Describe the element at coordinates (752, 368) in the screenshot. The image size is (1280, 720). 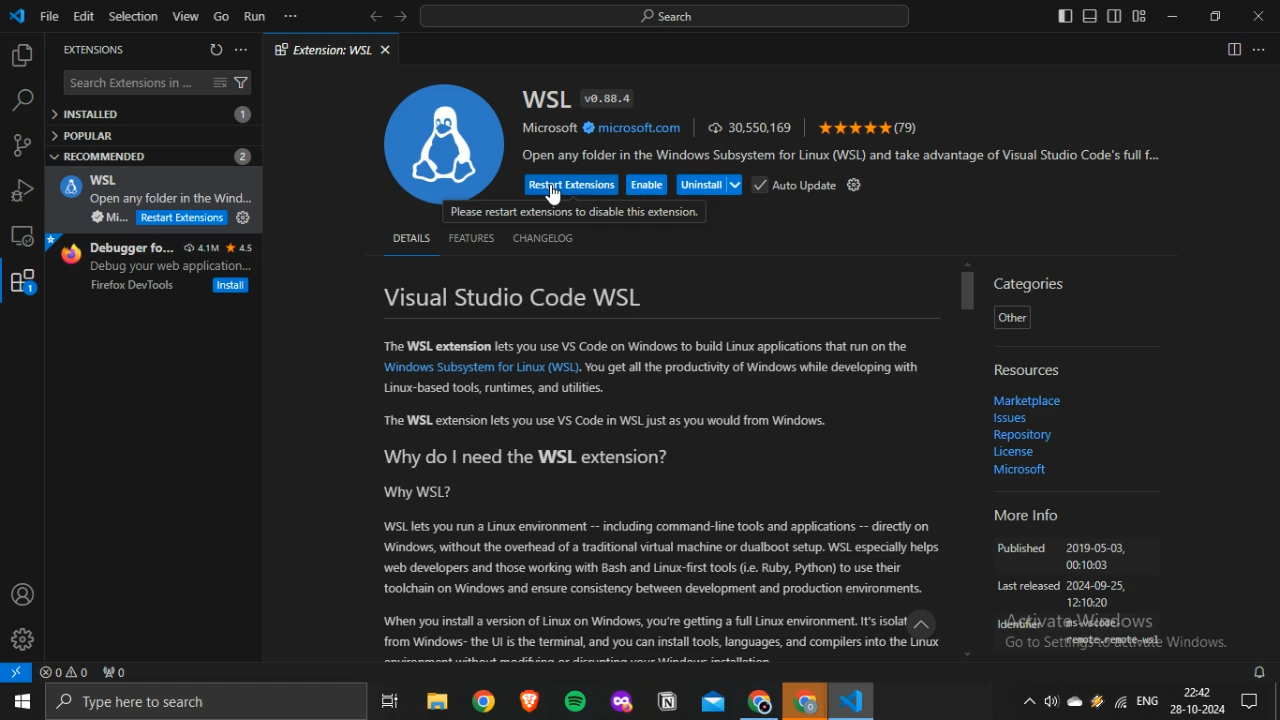
I see `You get all the productivity of Windows while developing with` at that location.